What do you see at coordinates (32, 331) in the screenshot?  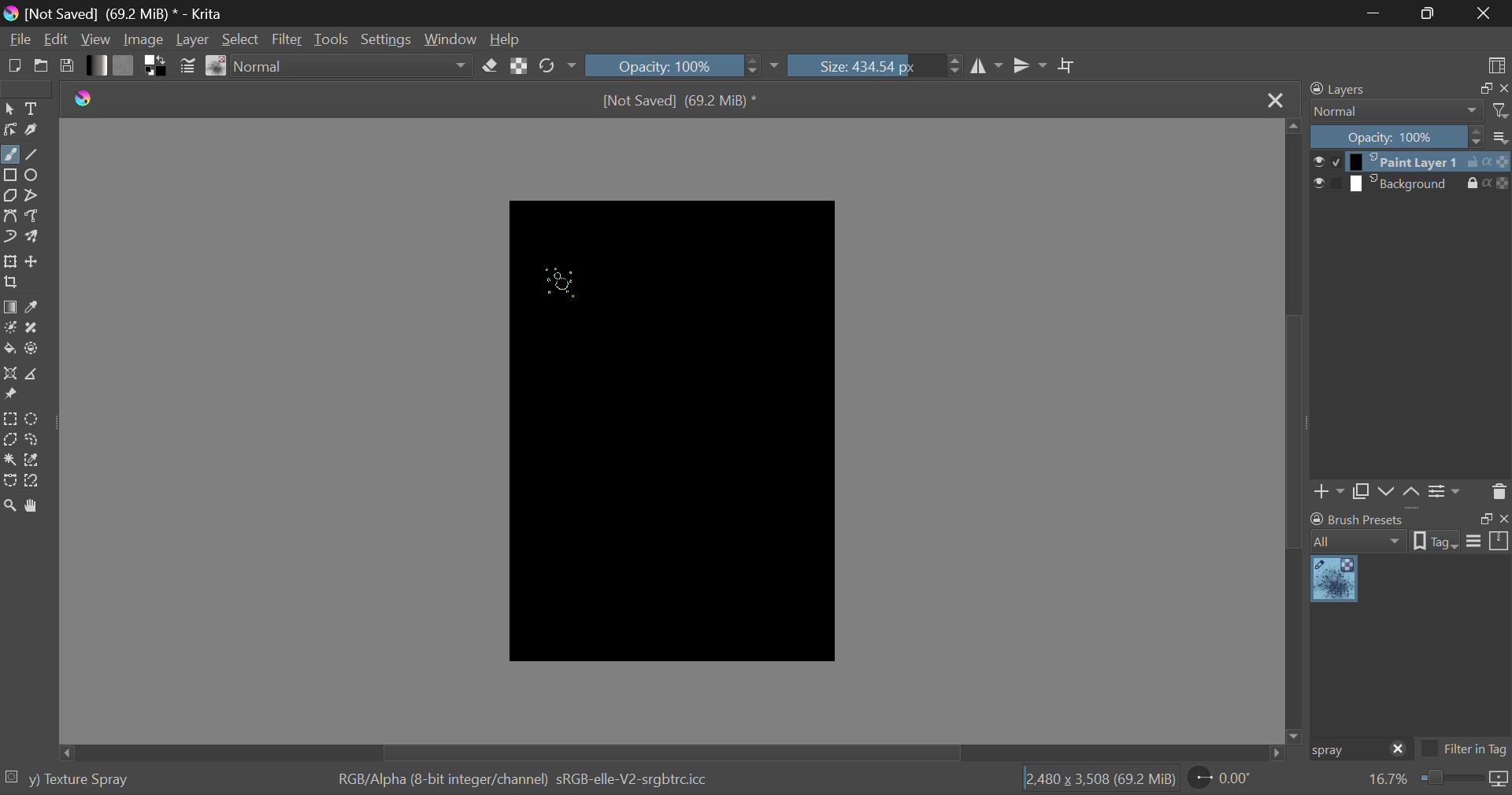 I see `Smart Patch Tool` at bounding box center [32, 331].